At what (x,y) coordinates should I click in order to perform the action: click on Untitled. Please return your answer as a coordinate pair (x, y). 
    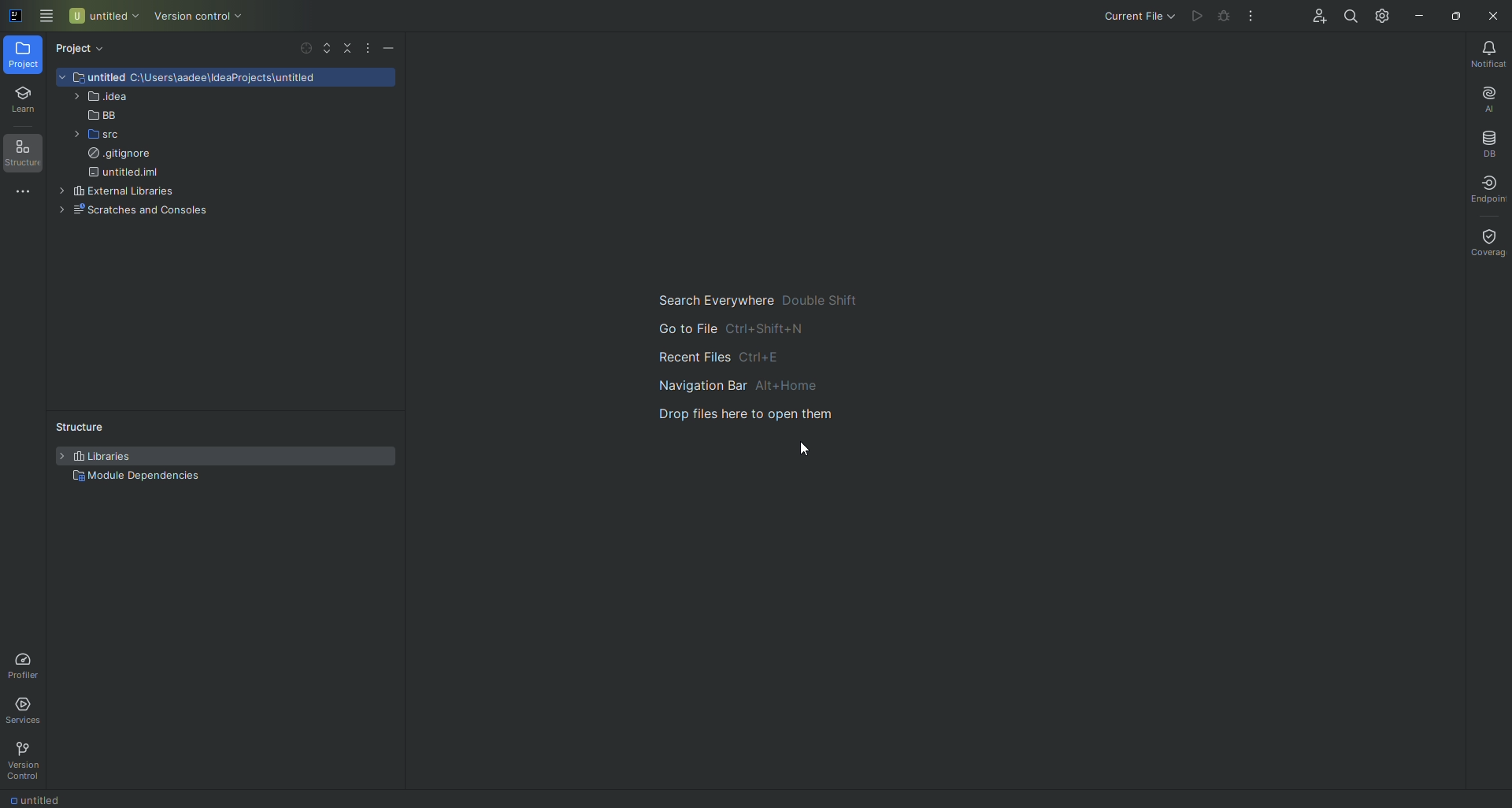
    Looking at the image, I should click on (93, 76).